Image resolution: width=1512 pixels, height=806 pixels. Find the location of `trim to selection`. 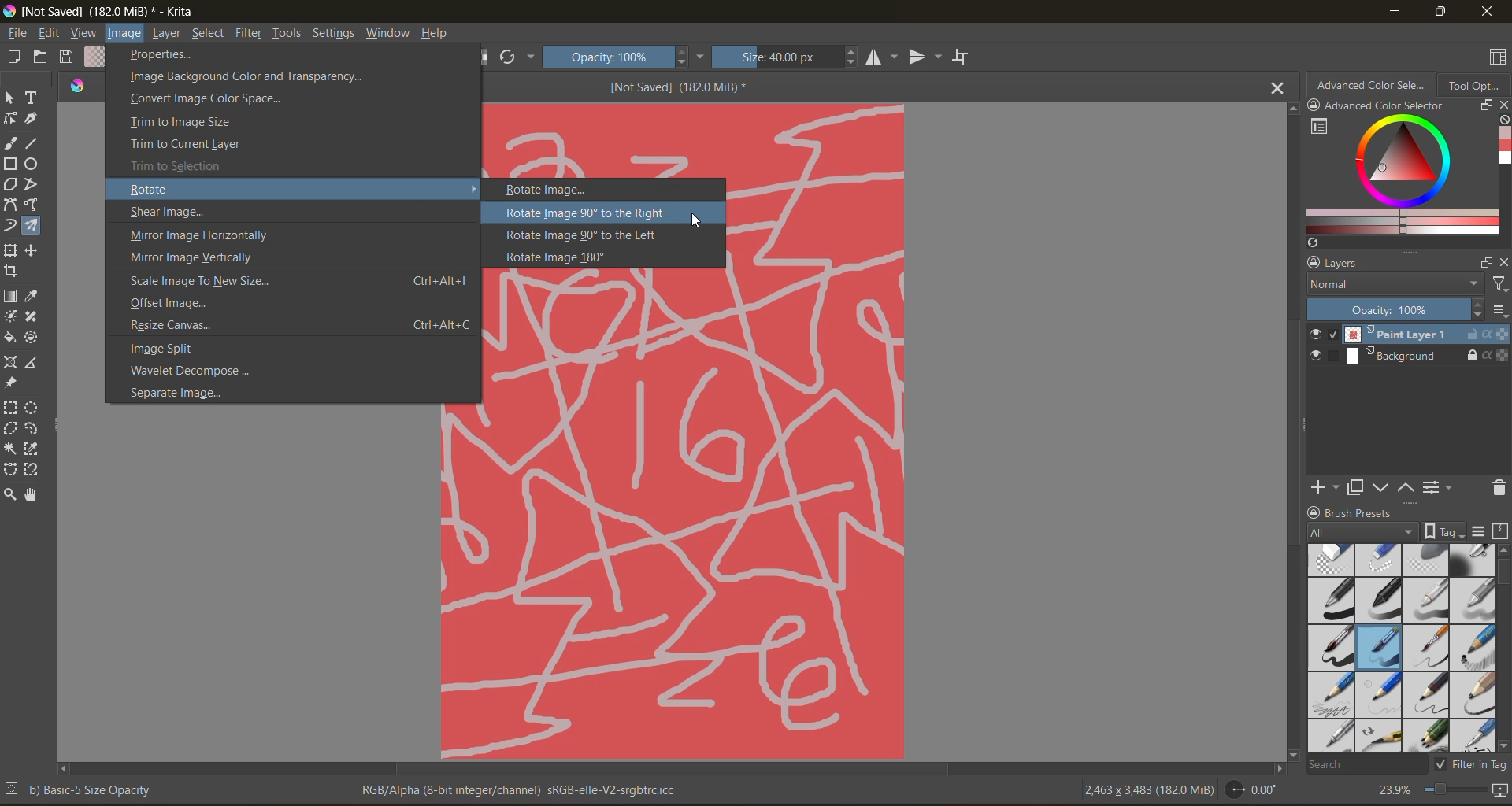

trim to selection is located at coordinates (187, 164).